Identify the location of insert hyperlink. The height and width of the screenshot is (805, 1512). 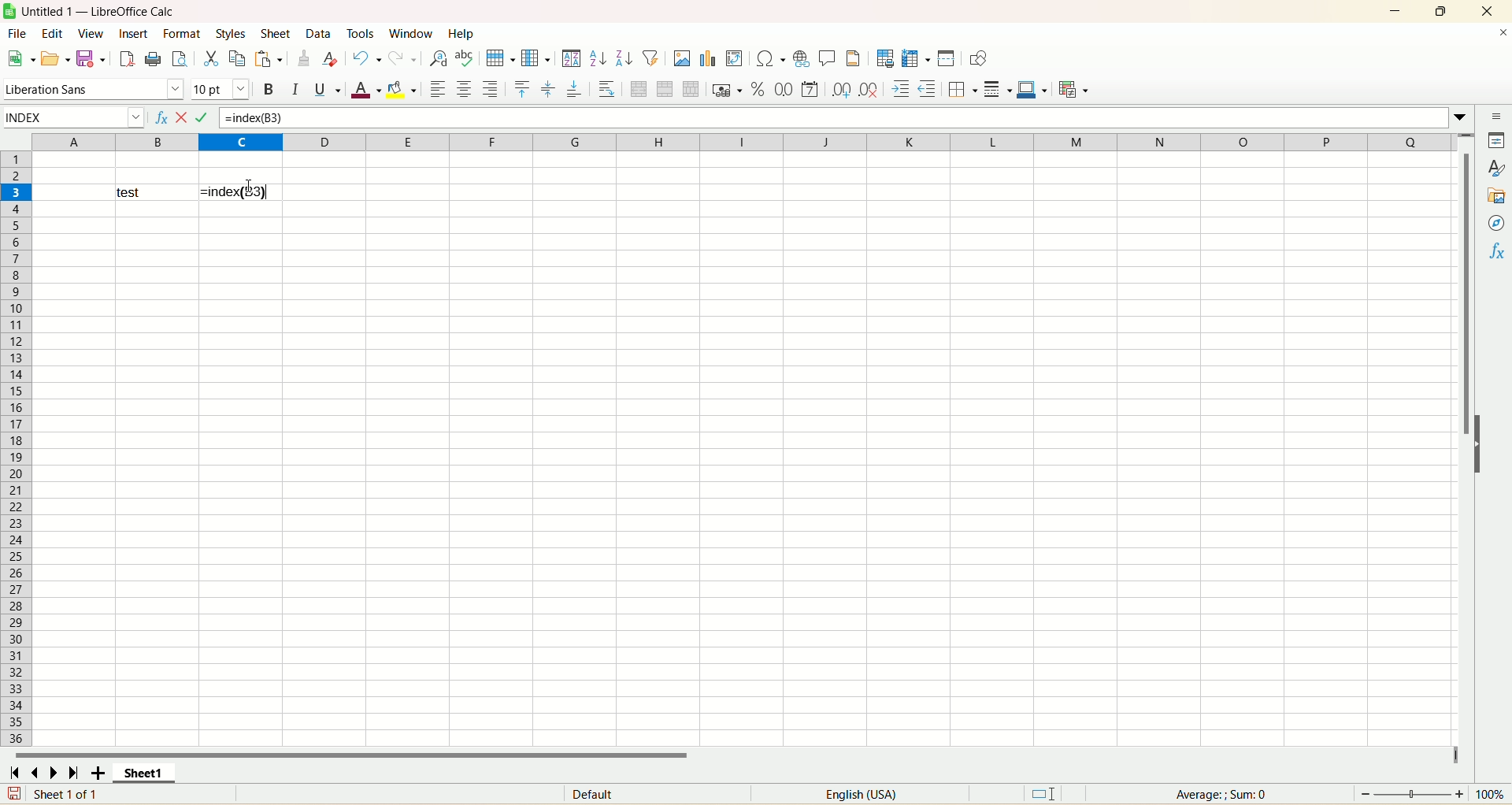
(801, 59).